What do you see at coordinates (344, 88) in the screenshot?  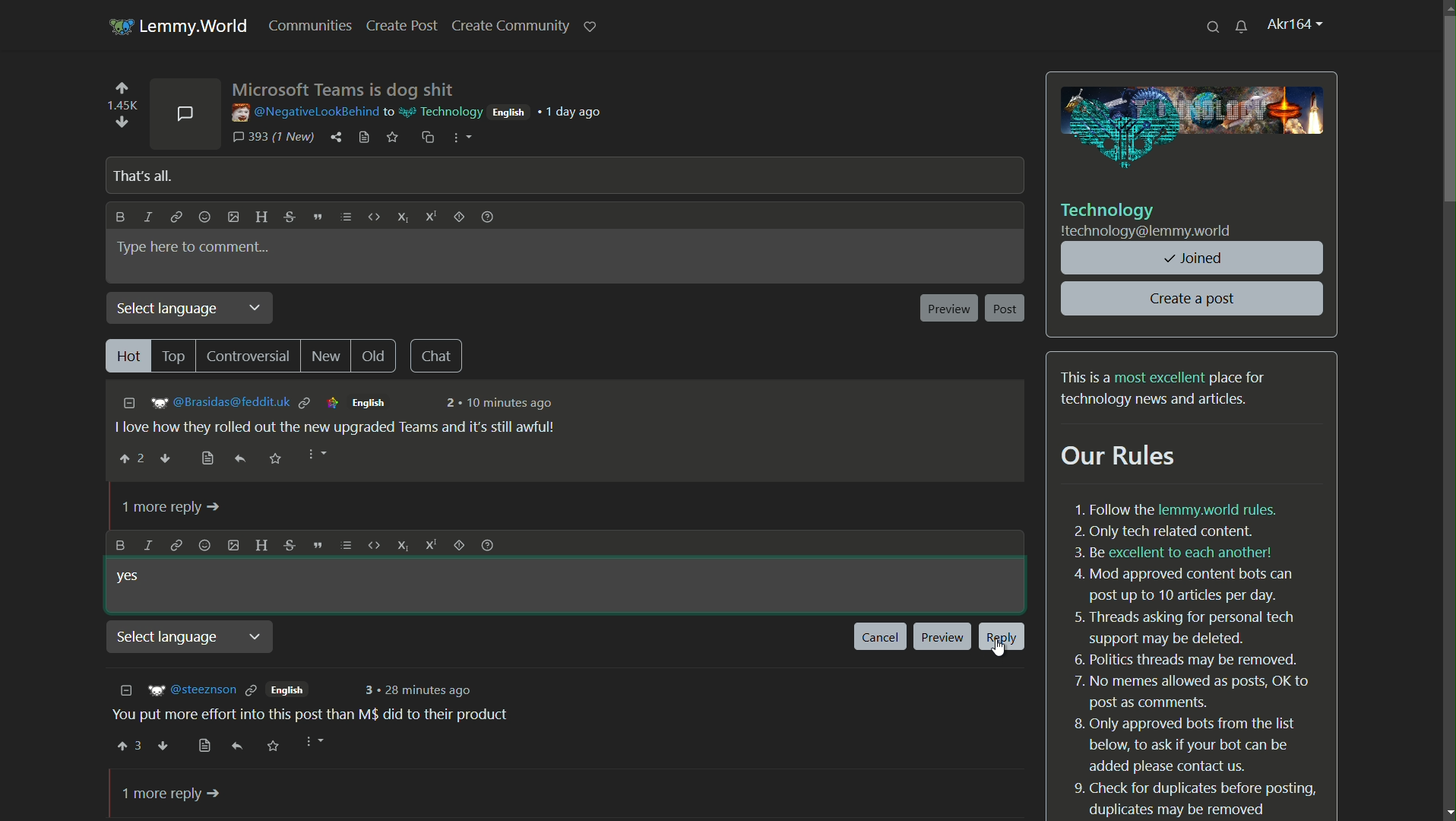 I see `post name` at bounding box center [344, 88].